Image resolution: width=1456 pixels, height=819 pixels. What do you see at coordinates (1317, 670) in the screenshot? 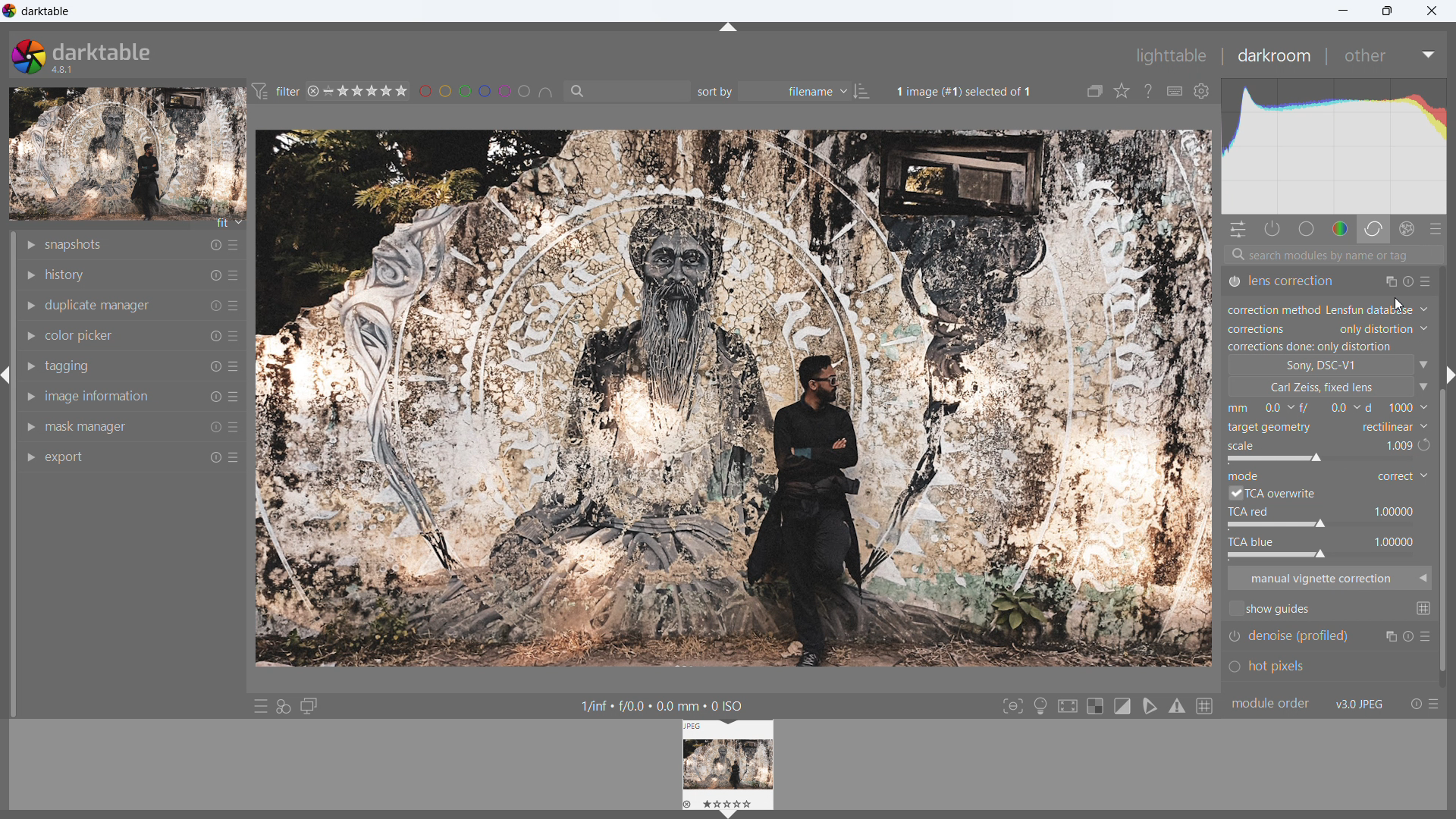
I see `hot pixels` at bounding box center [1317, 670].